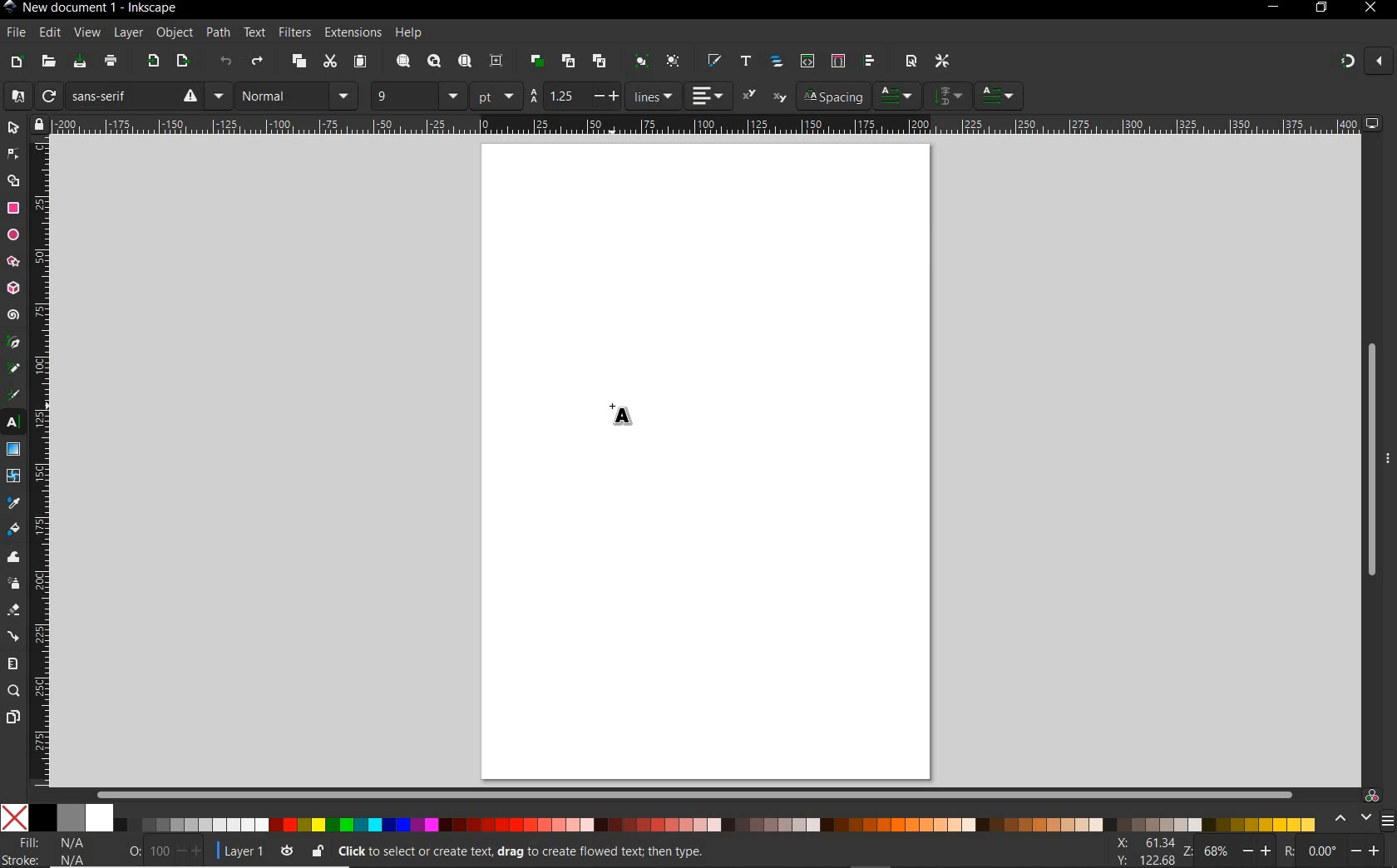 The image size is (1397, 868). What do you see at coordinates (257, 63) in the screenshot?
I see `redo` at bounding box center [257, 63].